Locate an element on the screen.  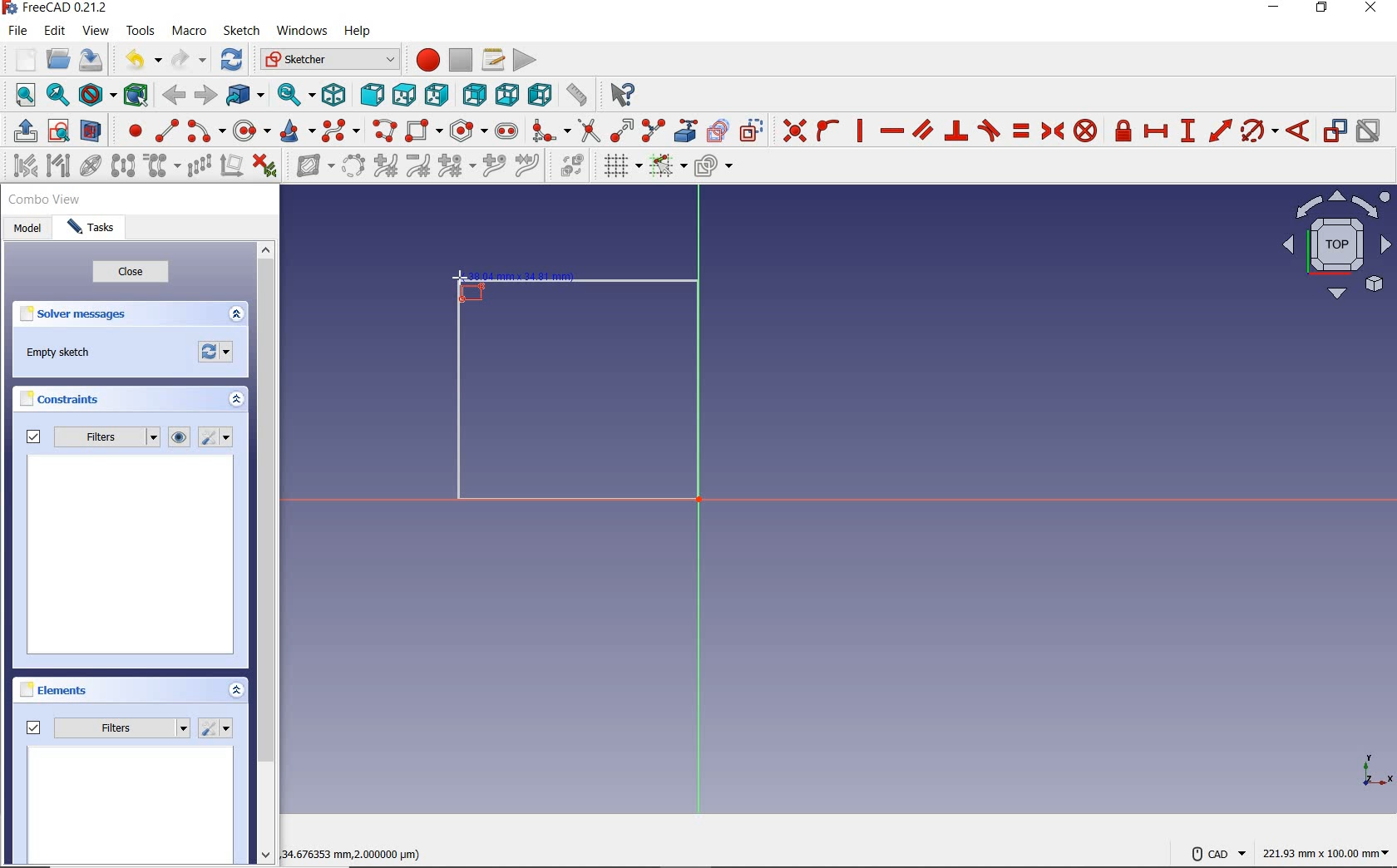
measure distance is located at coordinates (576, 96).